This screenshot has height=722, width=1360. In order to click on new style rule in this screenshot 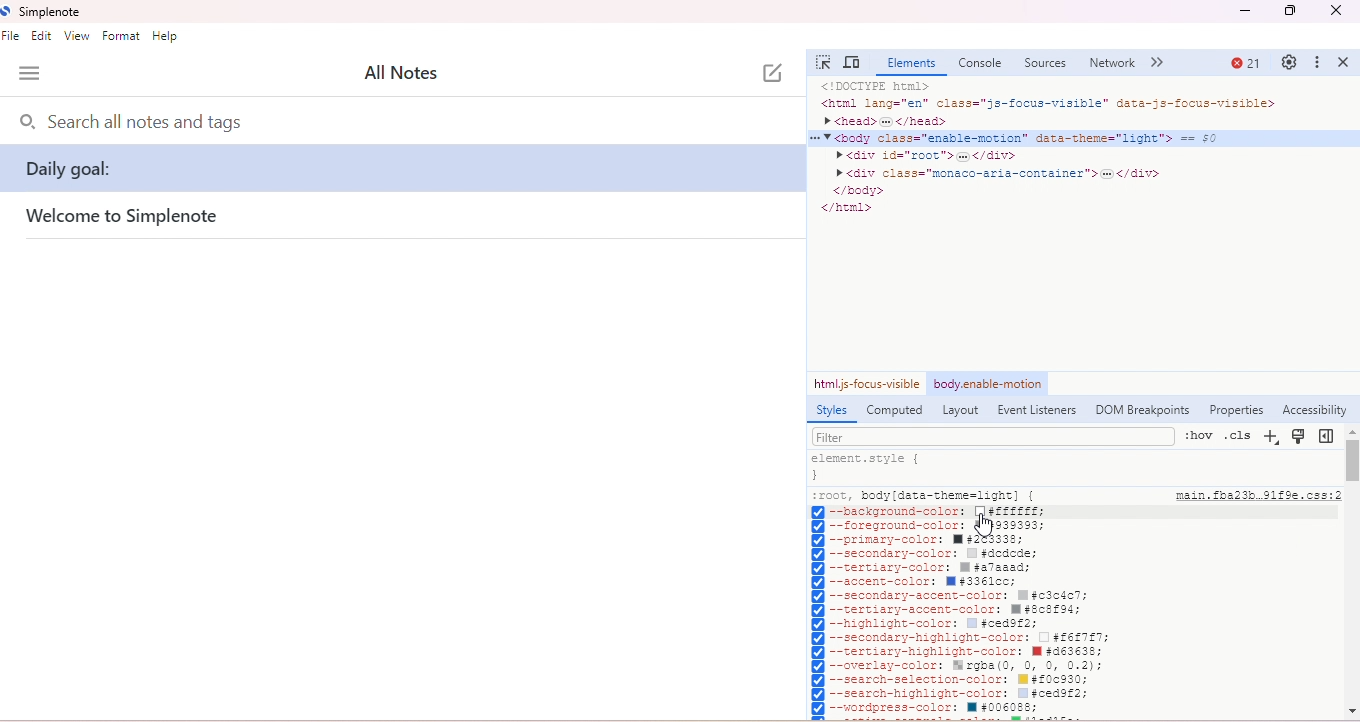, I will do `click(1272, 439)`.